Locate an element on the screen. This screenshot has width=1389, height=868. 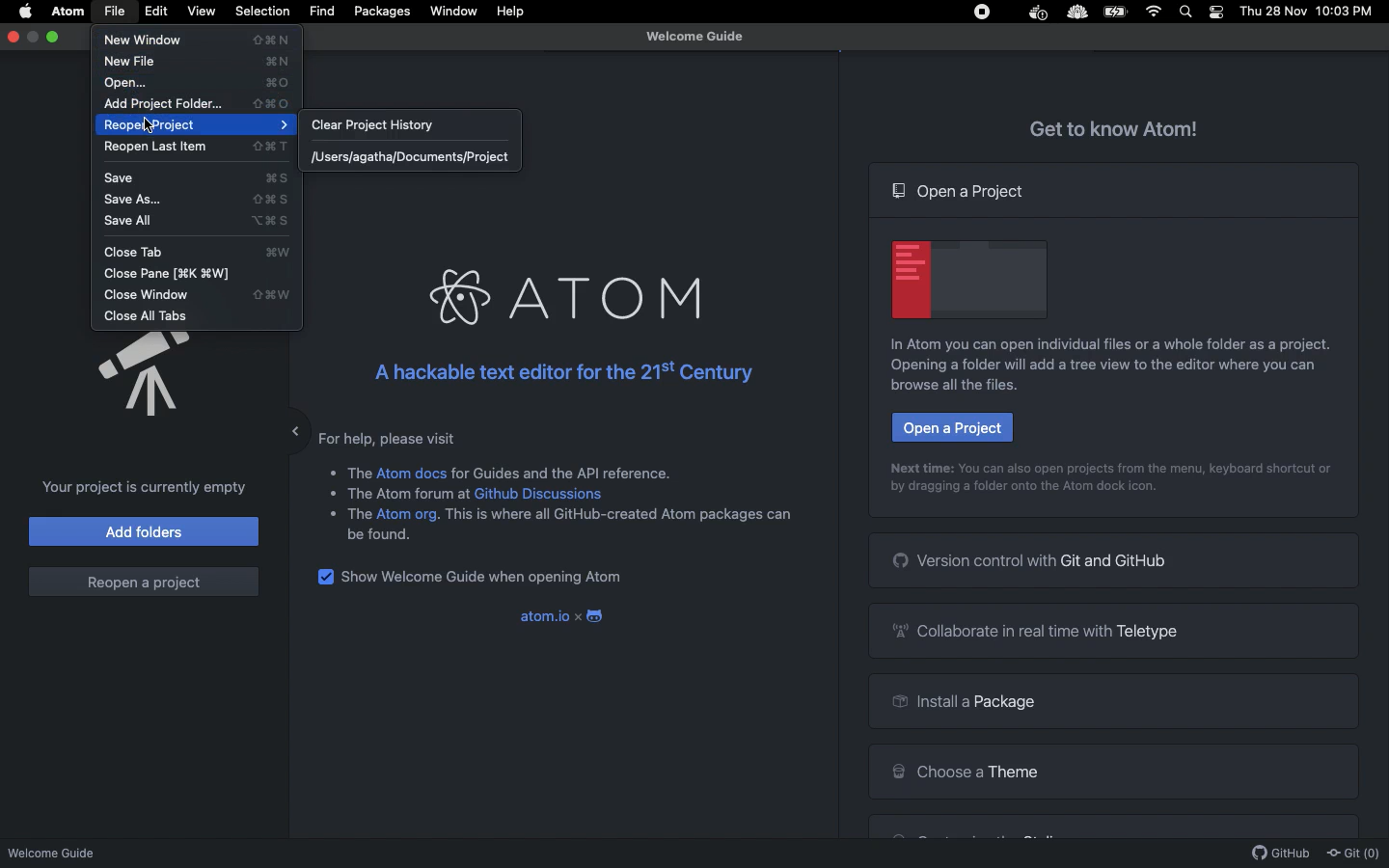
Instructional text is located at coordinates (1022, 492).